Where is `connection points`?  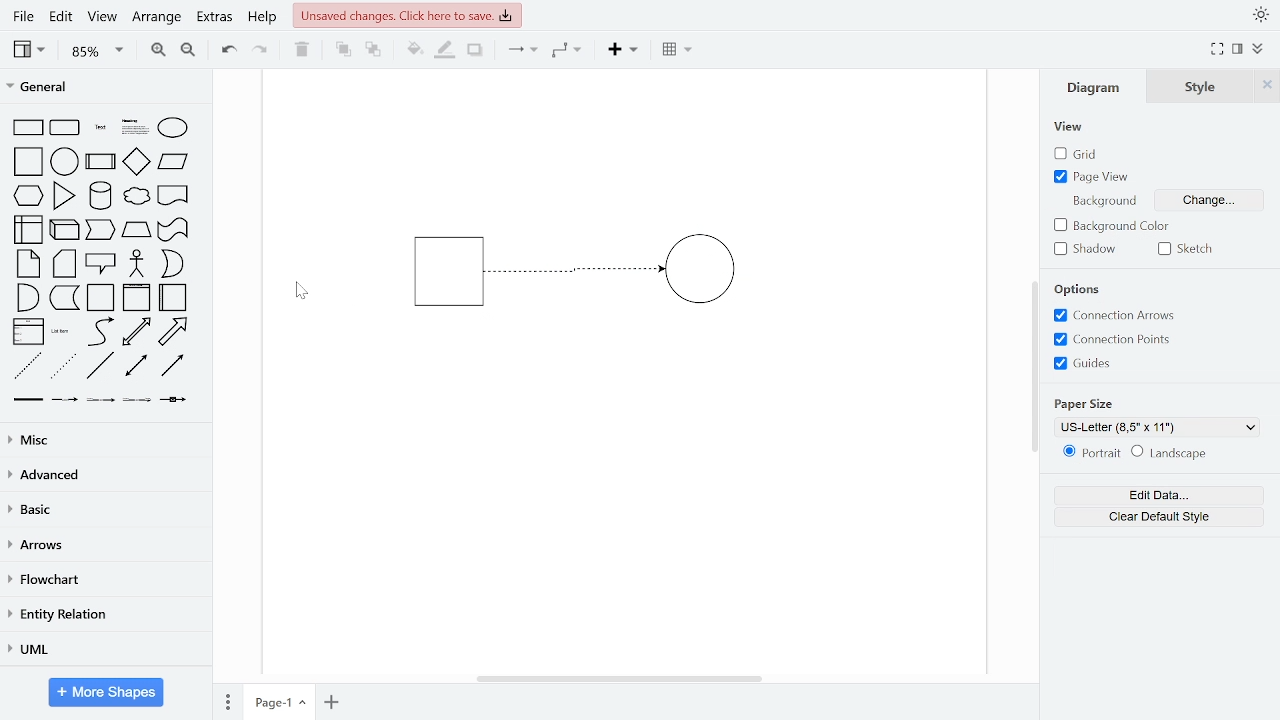
connection points is located at coordinates (1114, 340).